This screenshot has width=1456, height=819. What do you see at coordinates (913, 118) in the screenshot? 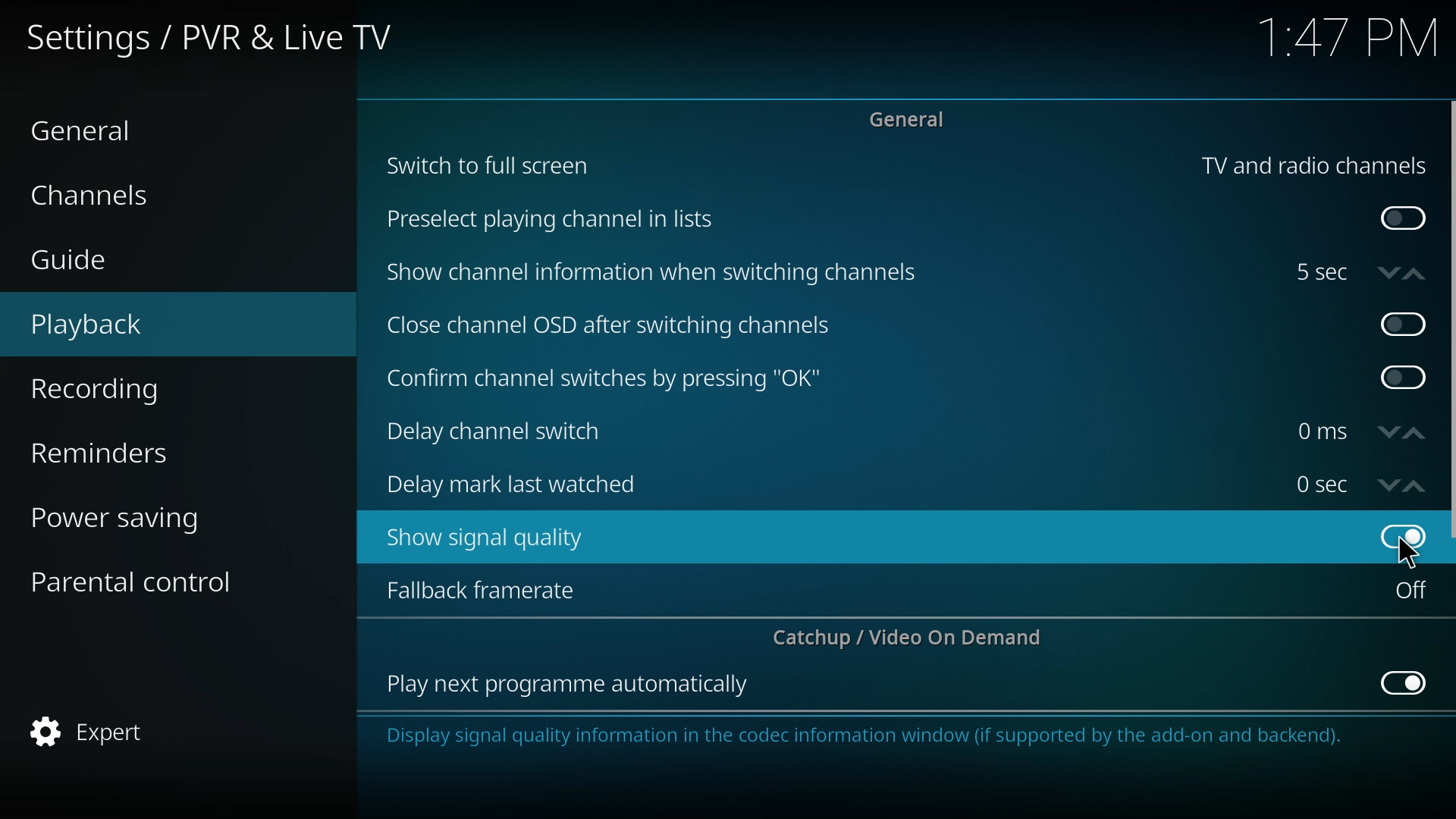
I see `general` at bounding box center [913, 118].